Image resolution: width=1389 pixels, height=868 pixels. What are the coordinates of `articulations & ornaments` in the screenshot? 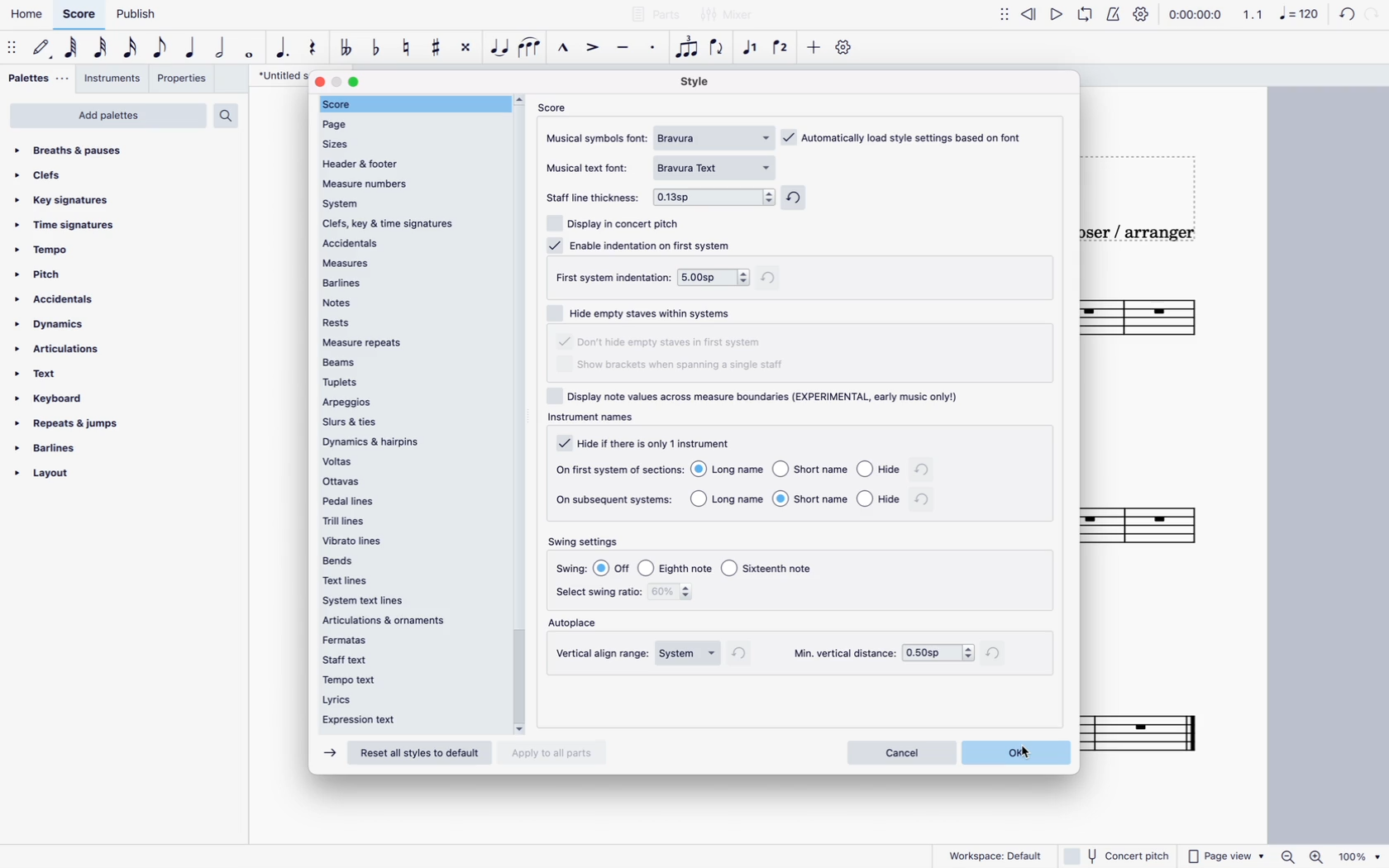 It's located at (408, 621).